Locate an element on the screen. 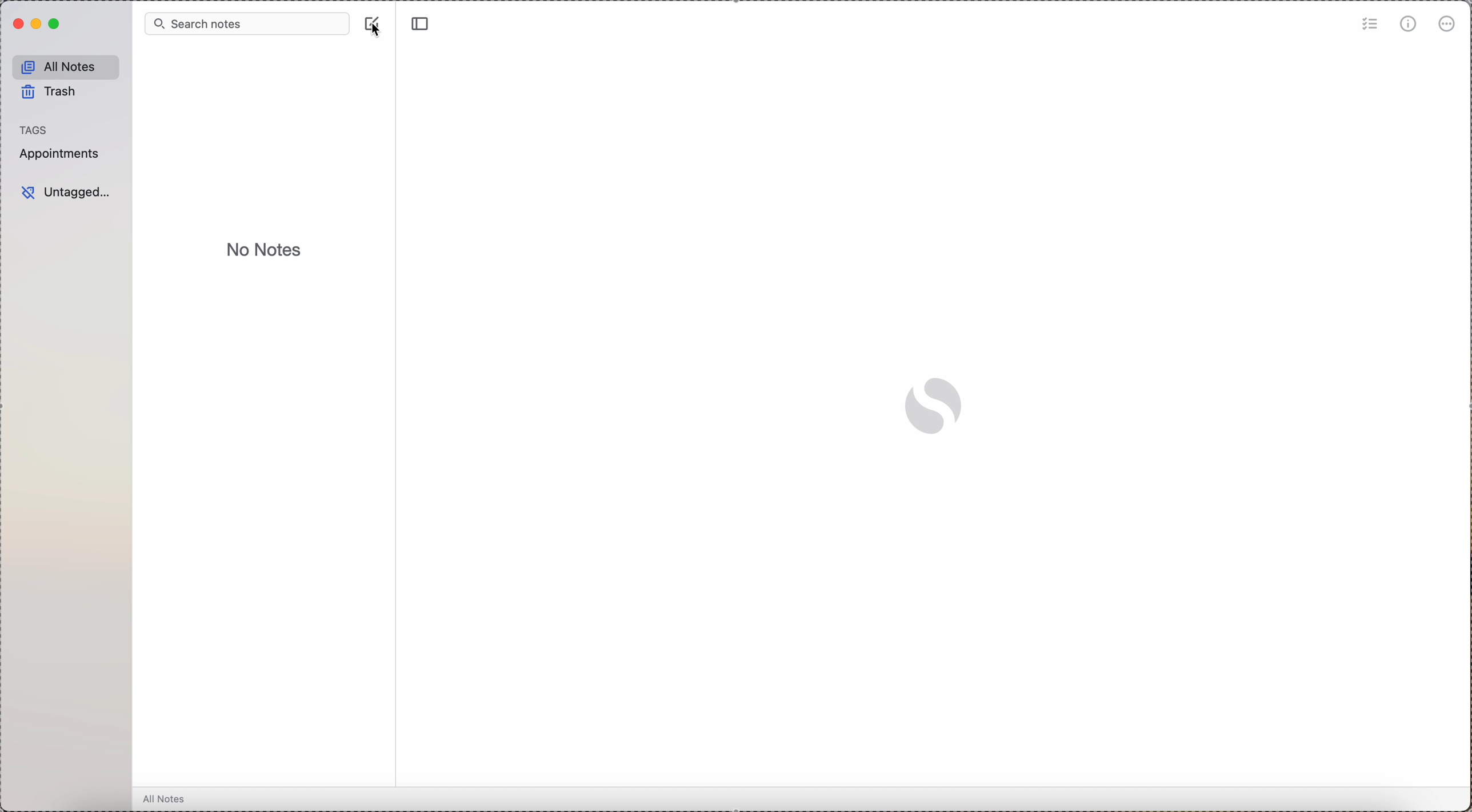  metrics is located at coordinates (1407, 25).